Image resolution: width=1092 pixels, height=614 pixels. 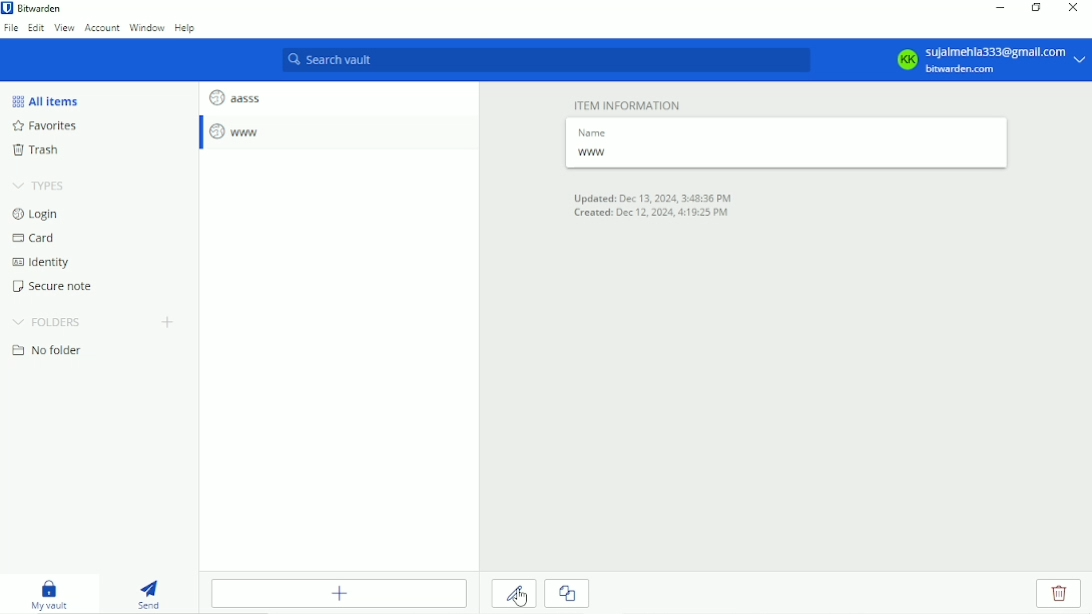 What do you see at coordinates (36, 239) in the screenshot?
I see `Card` at bounding box center [36, 239].